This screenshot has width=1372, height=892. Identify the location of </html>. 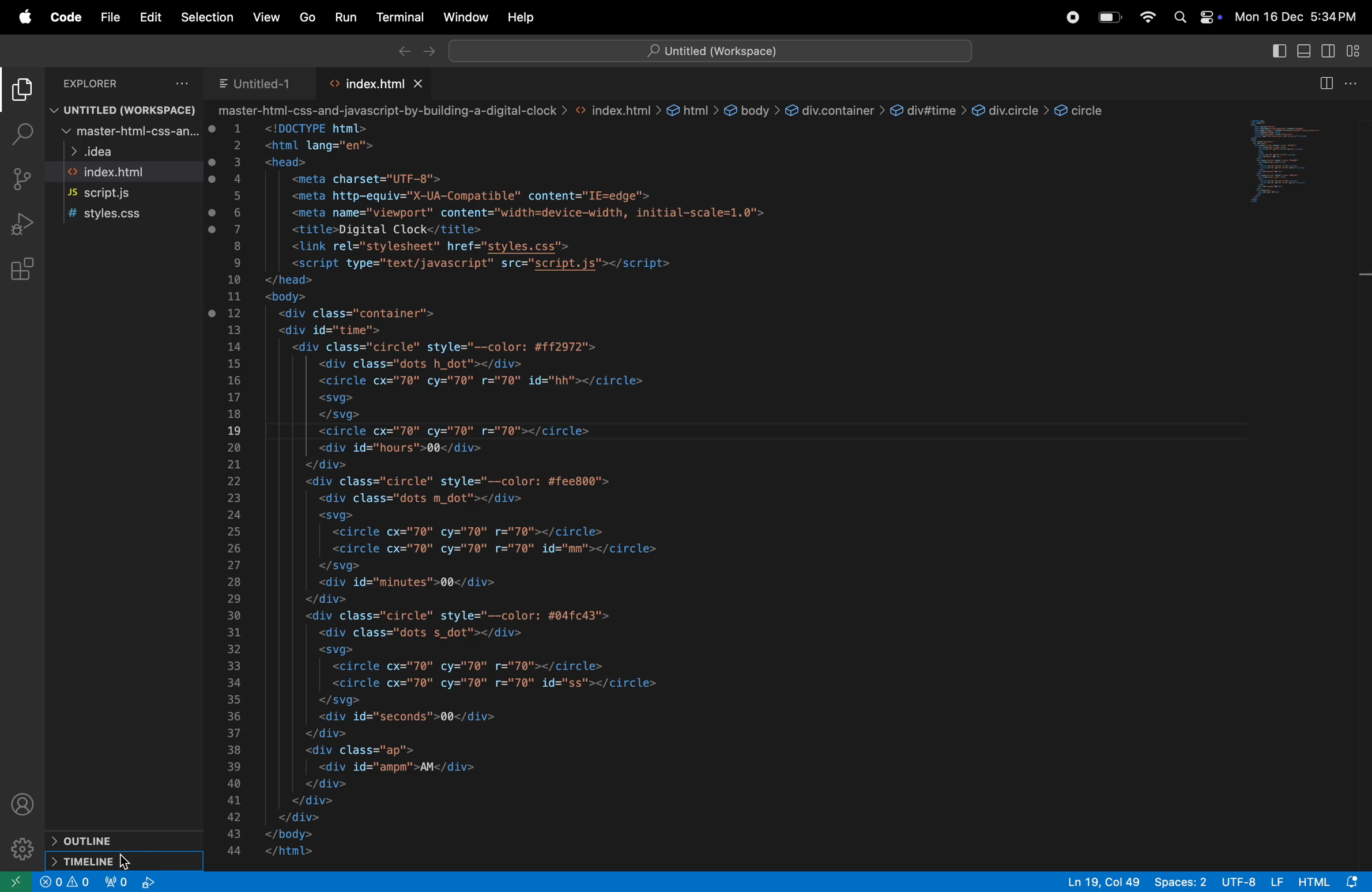
(293, 852).